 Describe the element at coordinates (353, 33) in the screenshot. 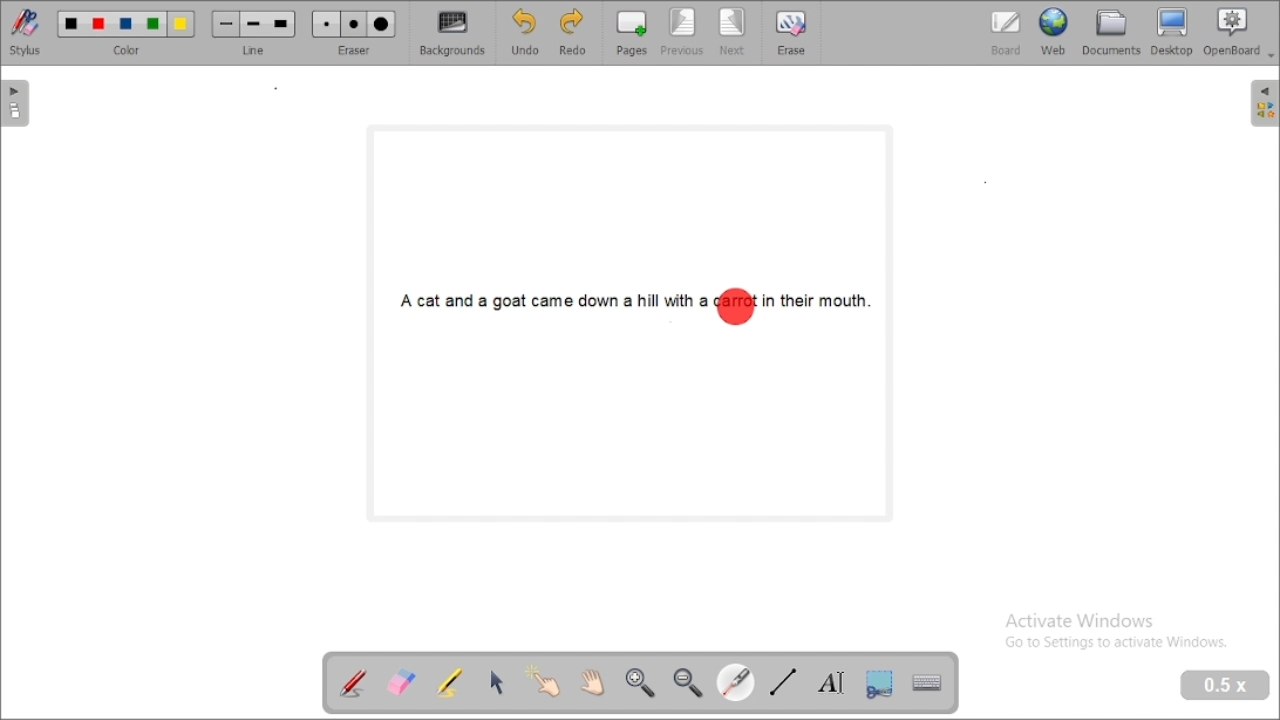

I see `eraser` at that location.